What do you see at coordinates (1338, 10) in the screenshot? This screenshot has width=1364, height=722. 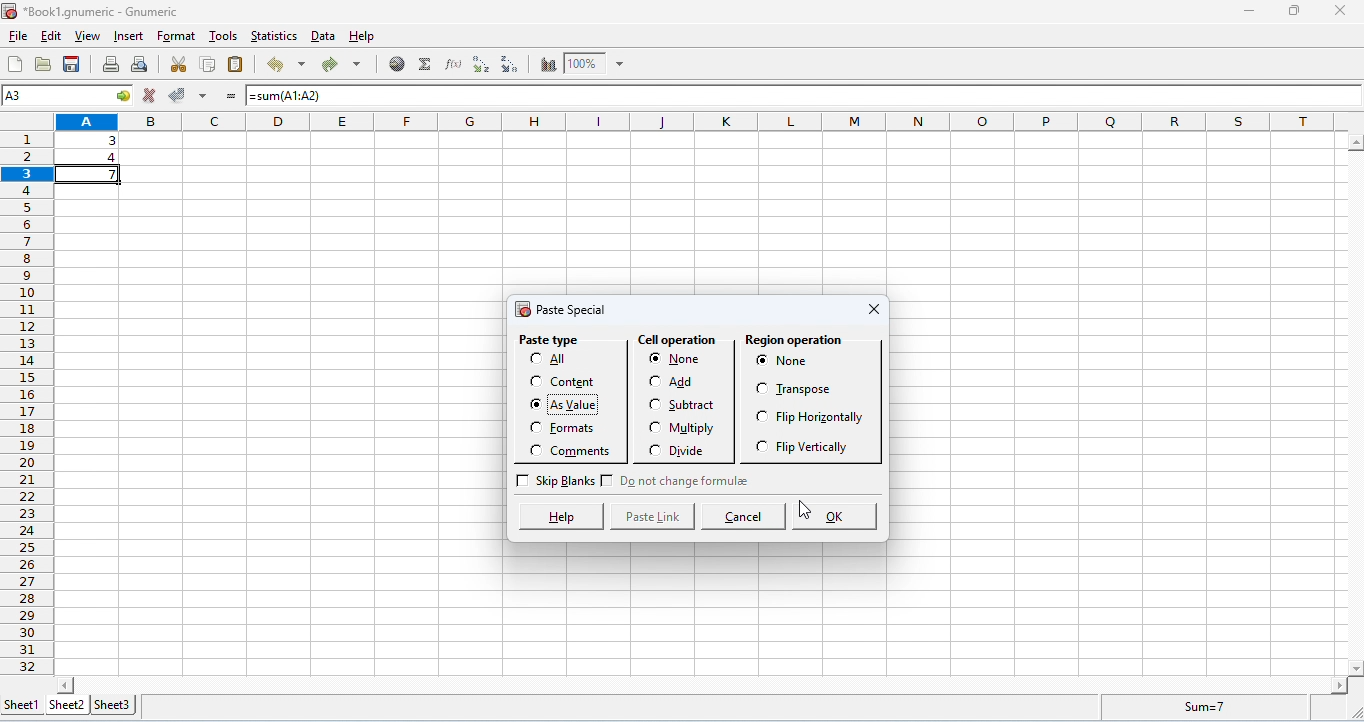 I see `close` at bounding box center [1338, 10].